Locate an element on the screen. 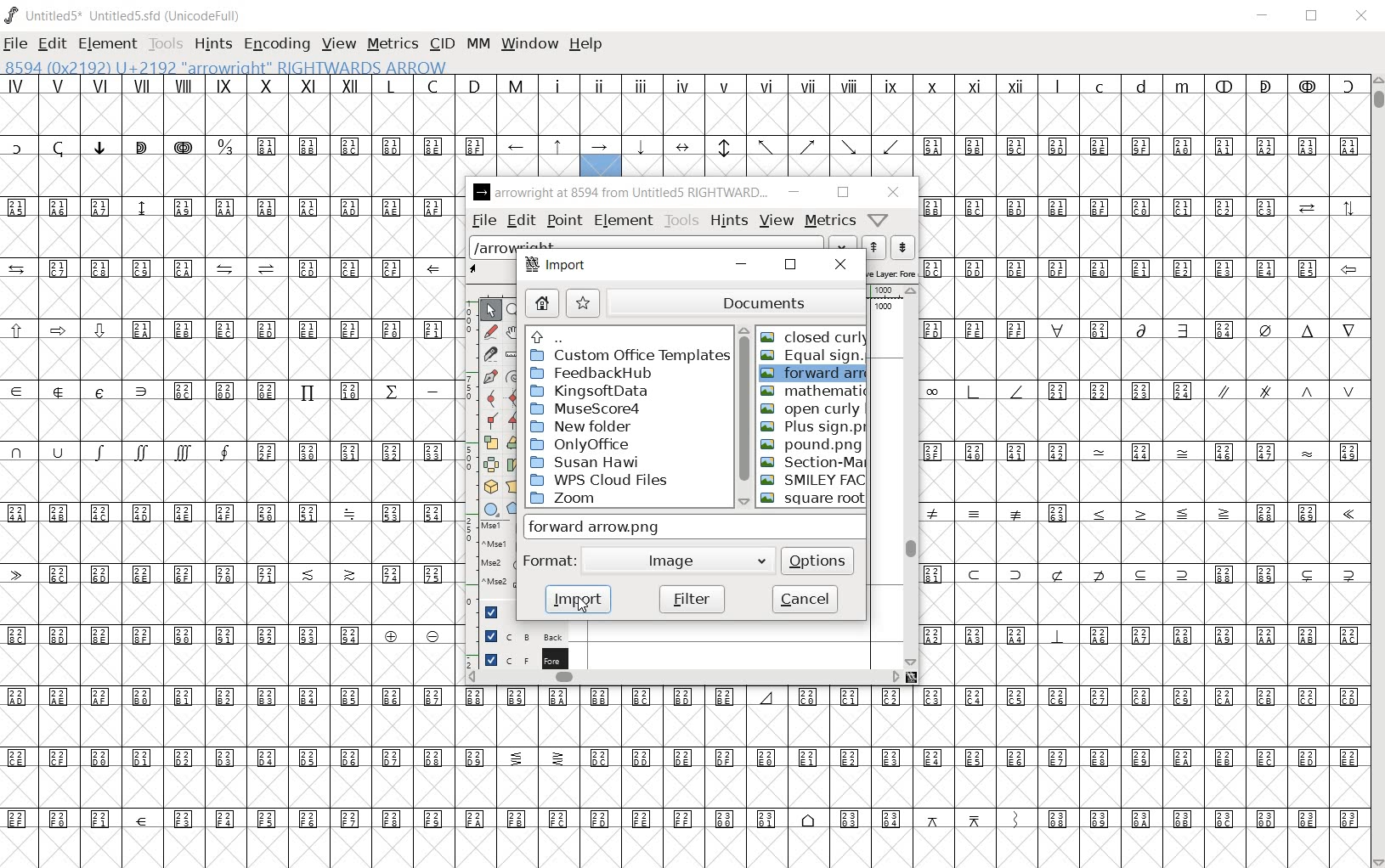  gylph characters is located at coordinates (687, 718).